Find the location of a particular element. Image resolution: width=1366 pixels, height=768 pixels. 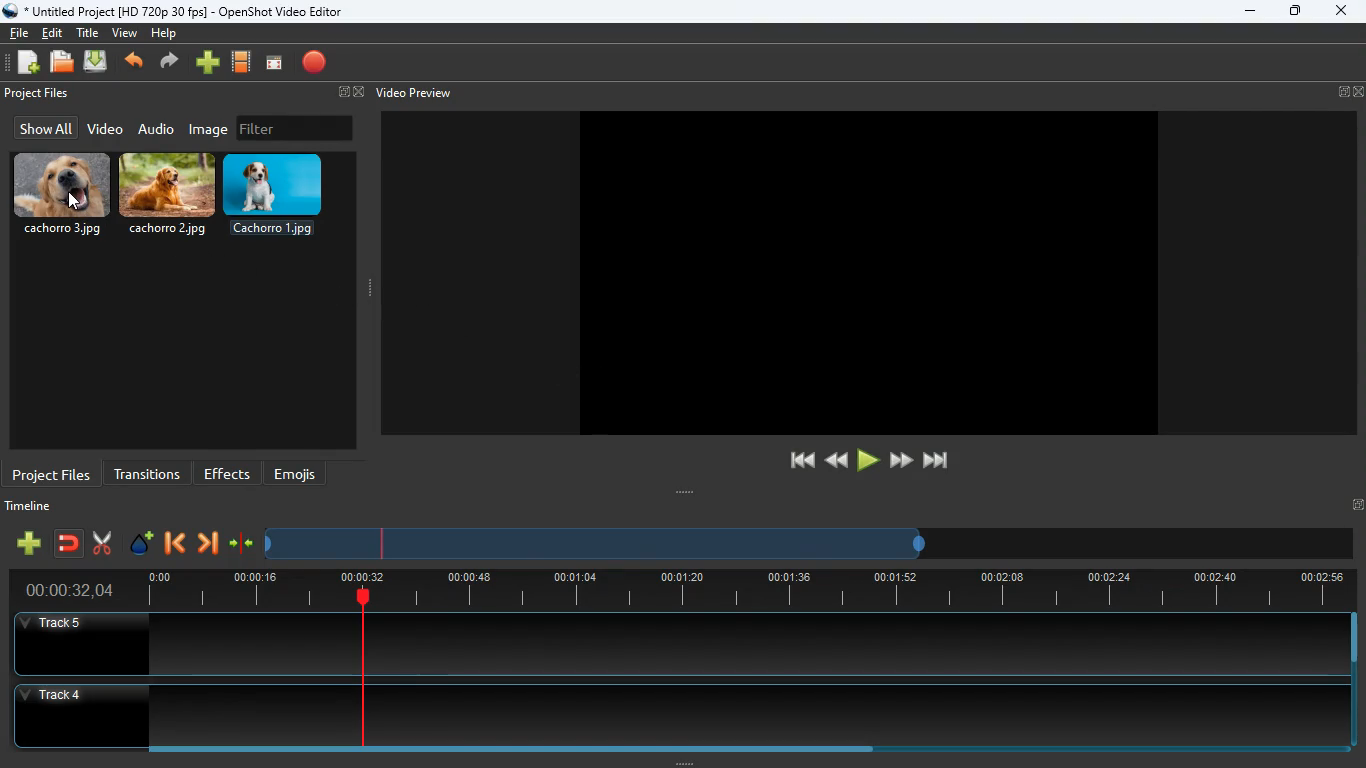

transitions is located at coordinates (147, 472).